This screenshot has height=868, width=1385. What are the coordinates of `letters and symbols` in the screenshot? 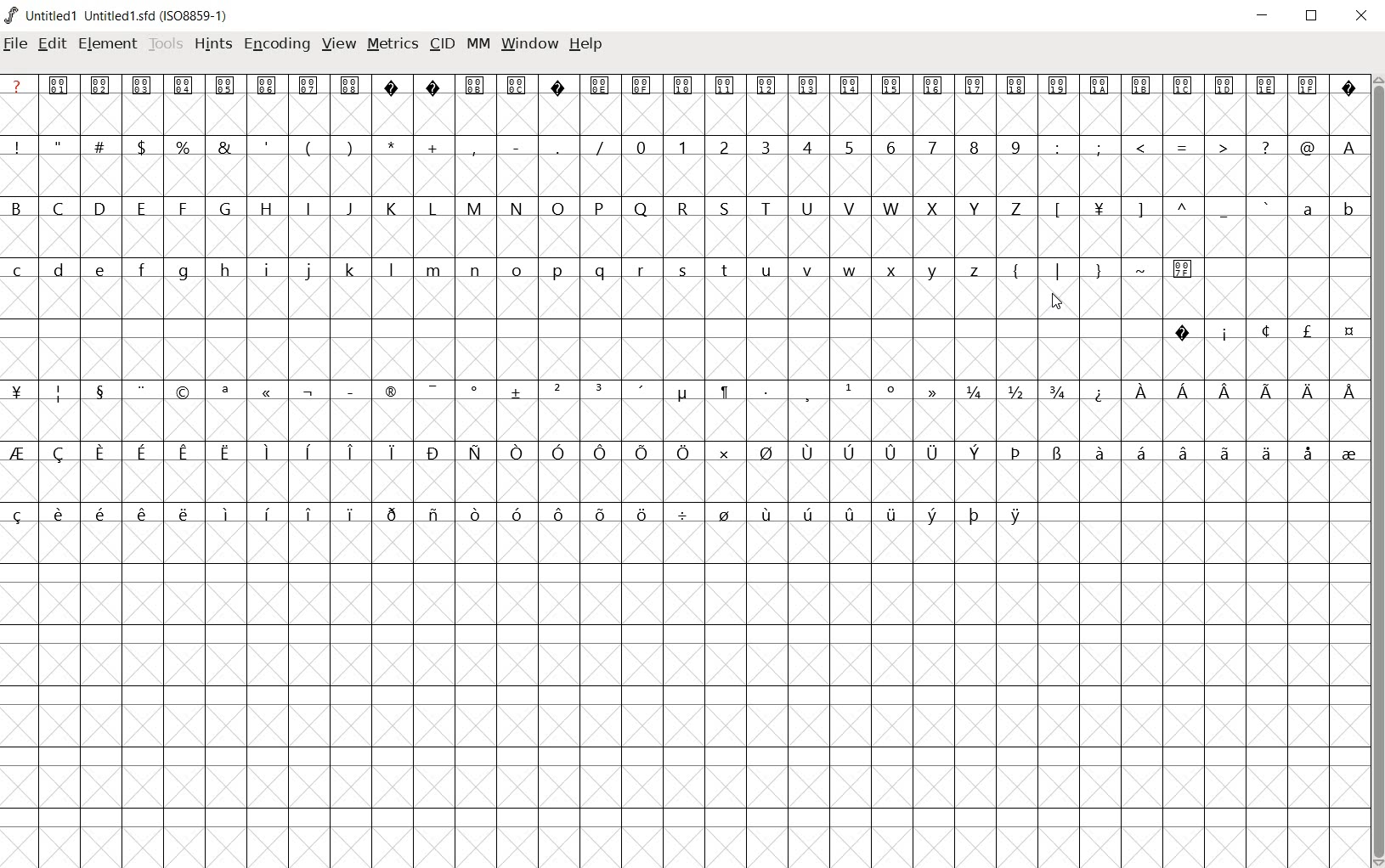 It's located at (683, 207).